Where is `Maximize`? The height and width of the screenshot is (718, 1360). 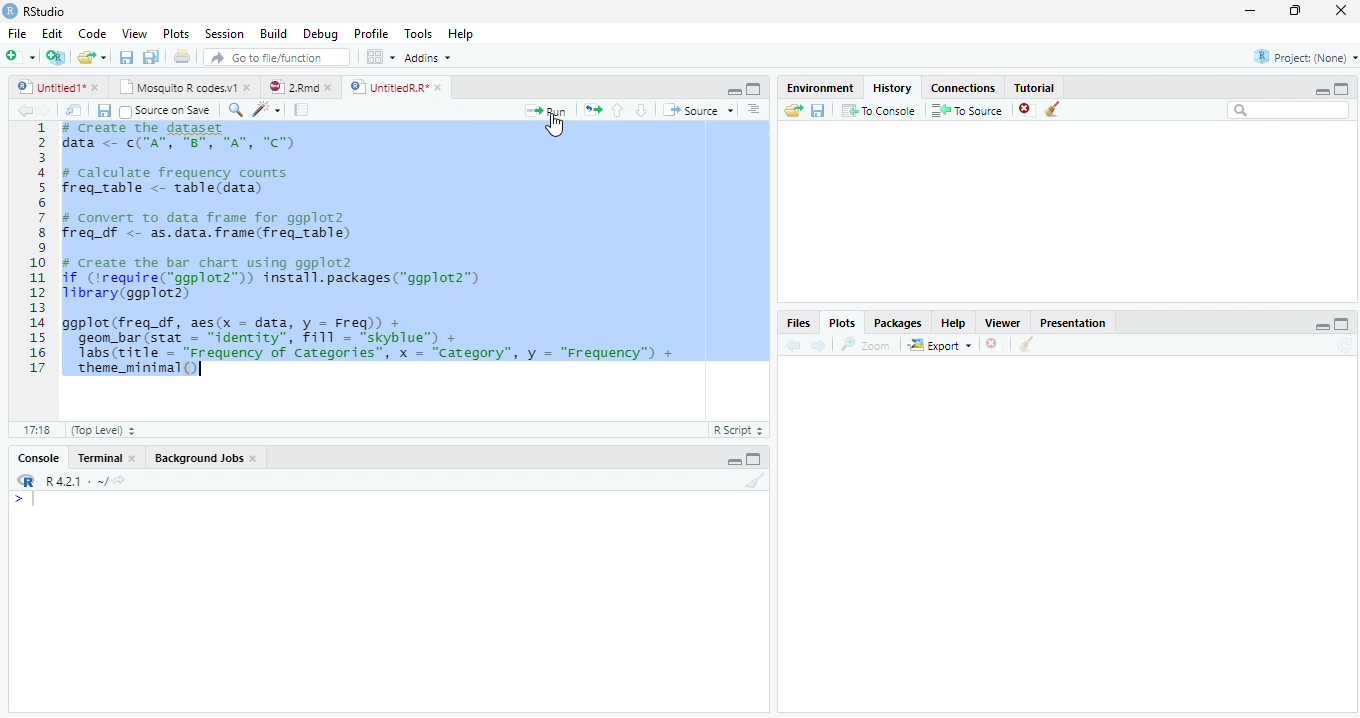
Maximize is located at coordinates (1343, 88).